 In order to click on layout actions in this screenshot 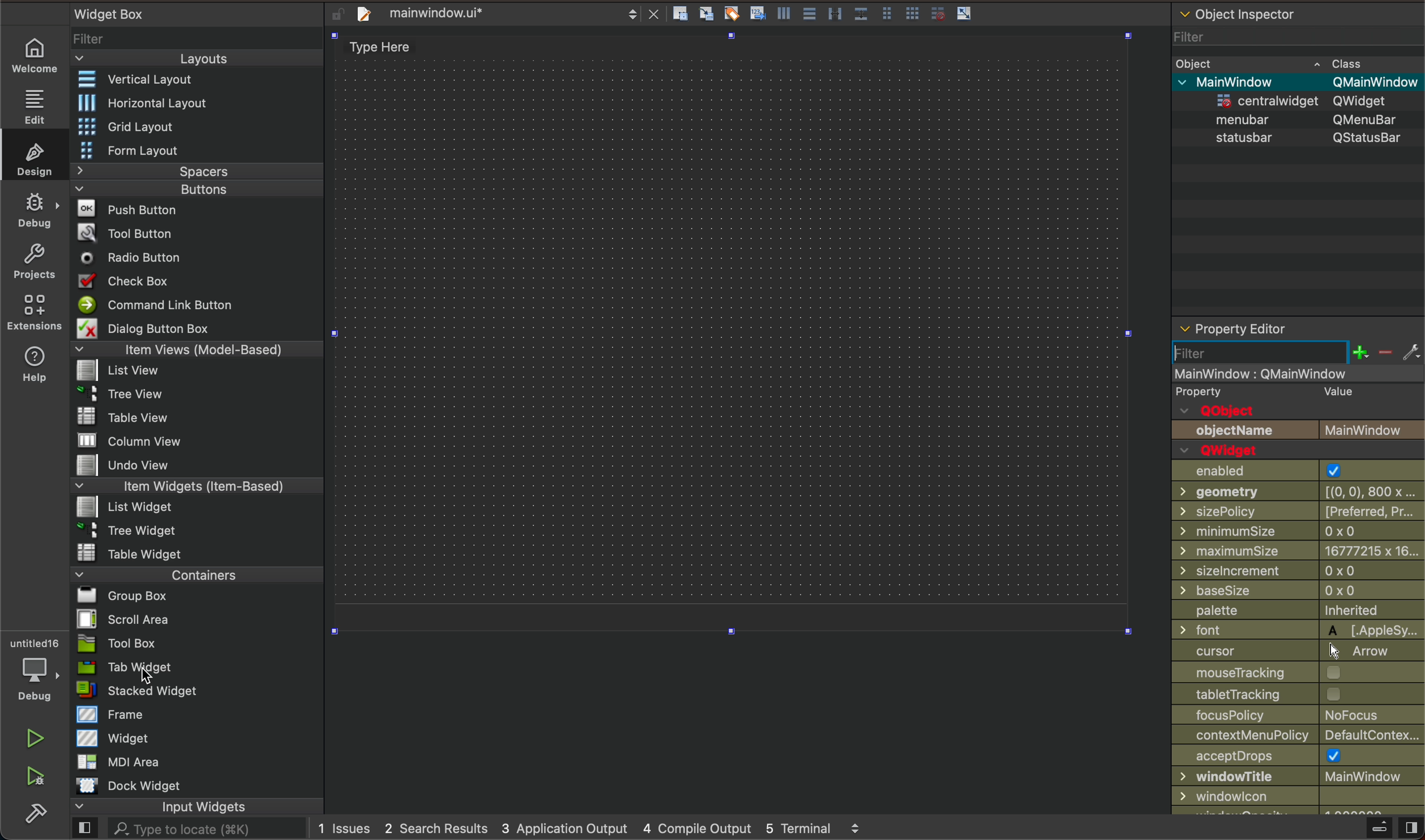, I will do `click(872, 12)`.